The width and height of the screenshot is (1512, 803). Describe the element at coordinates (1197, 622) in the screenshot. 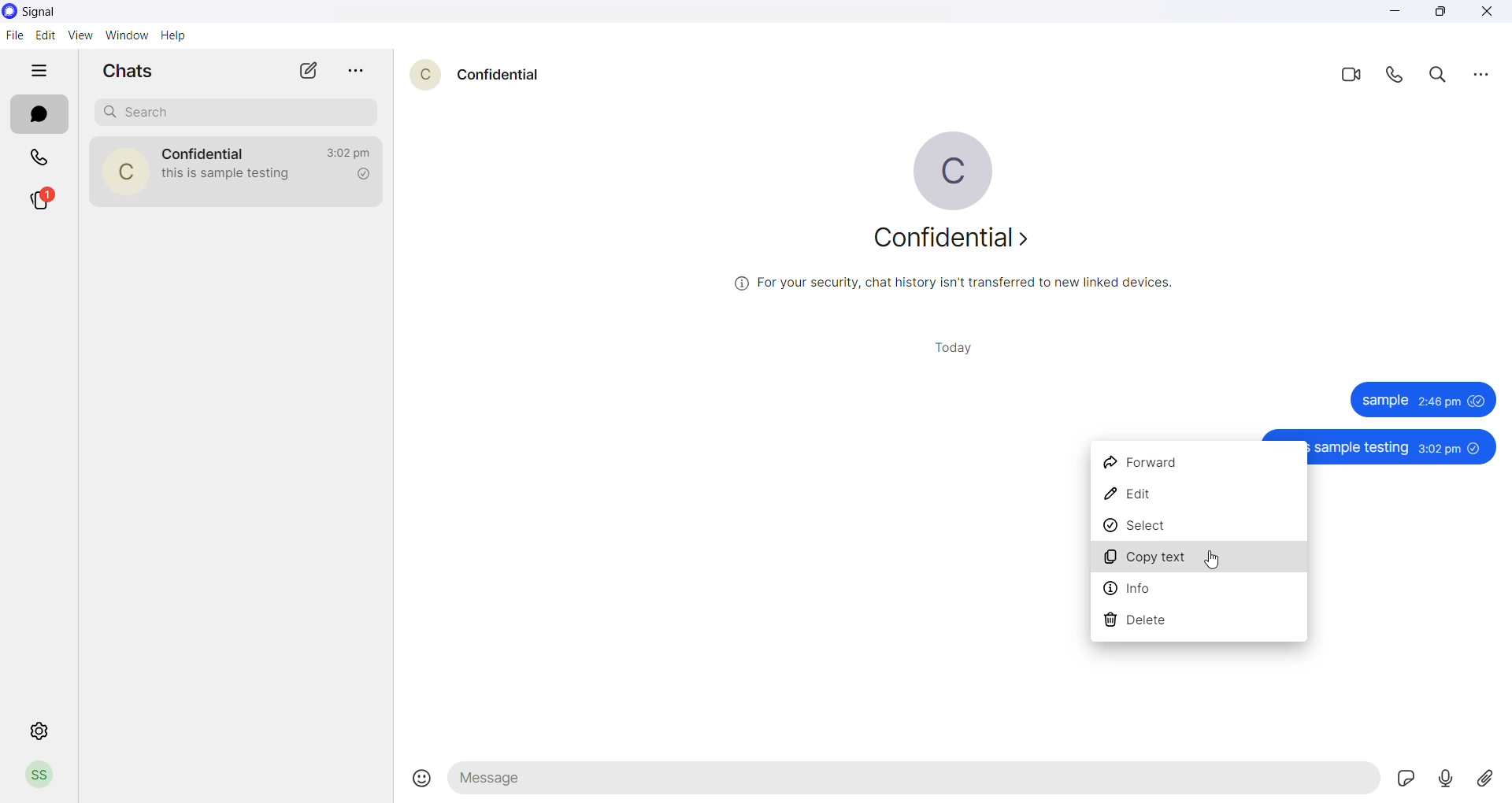

I see `delete` at that location.